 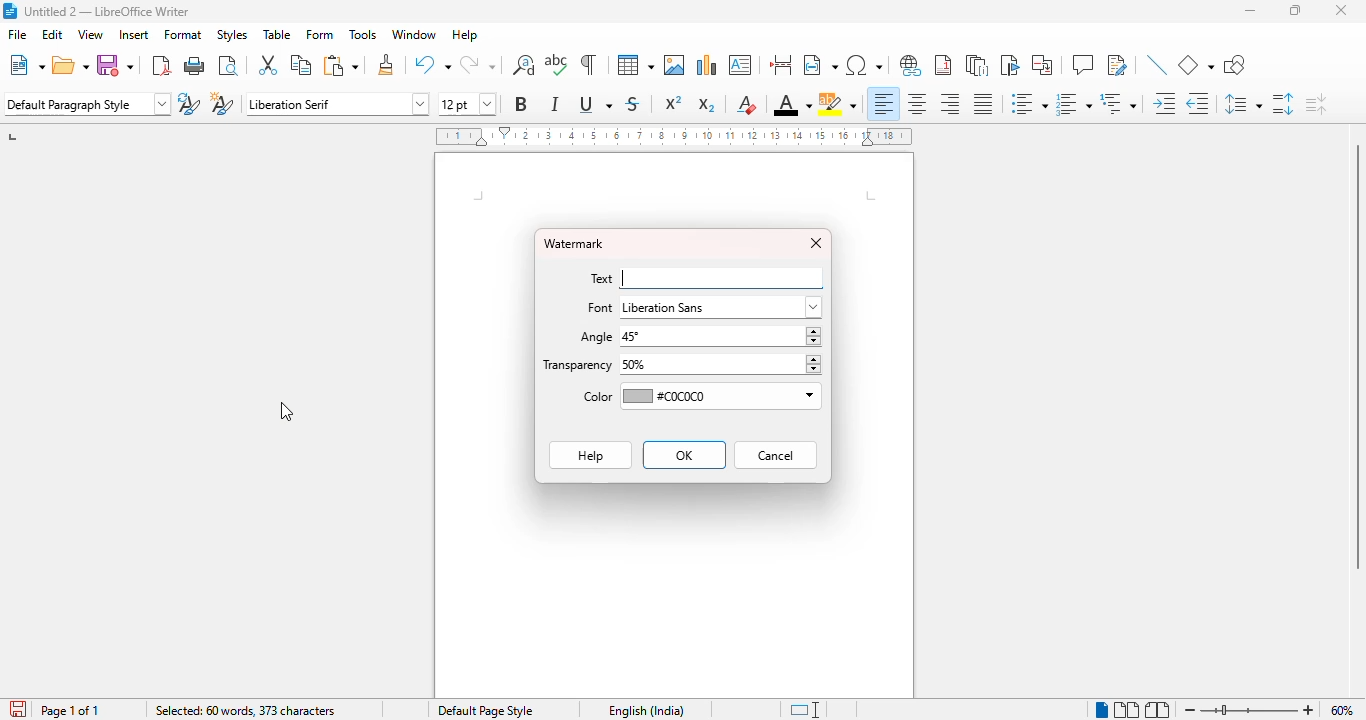 I want to click on toggle unordered list, so click(x=1029, y=103).